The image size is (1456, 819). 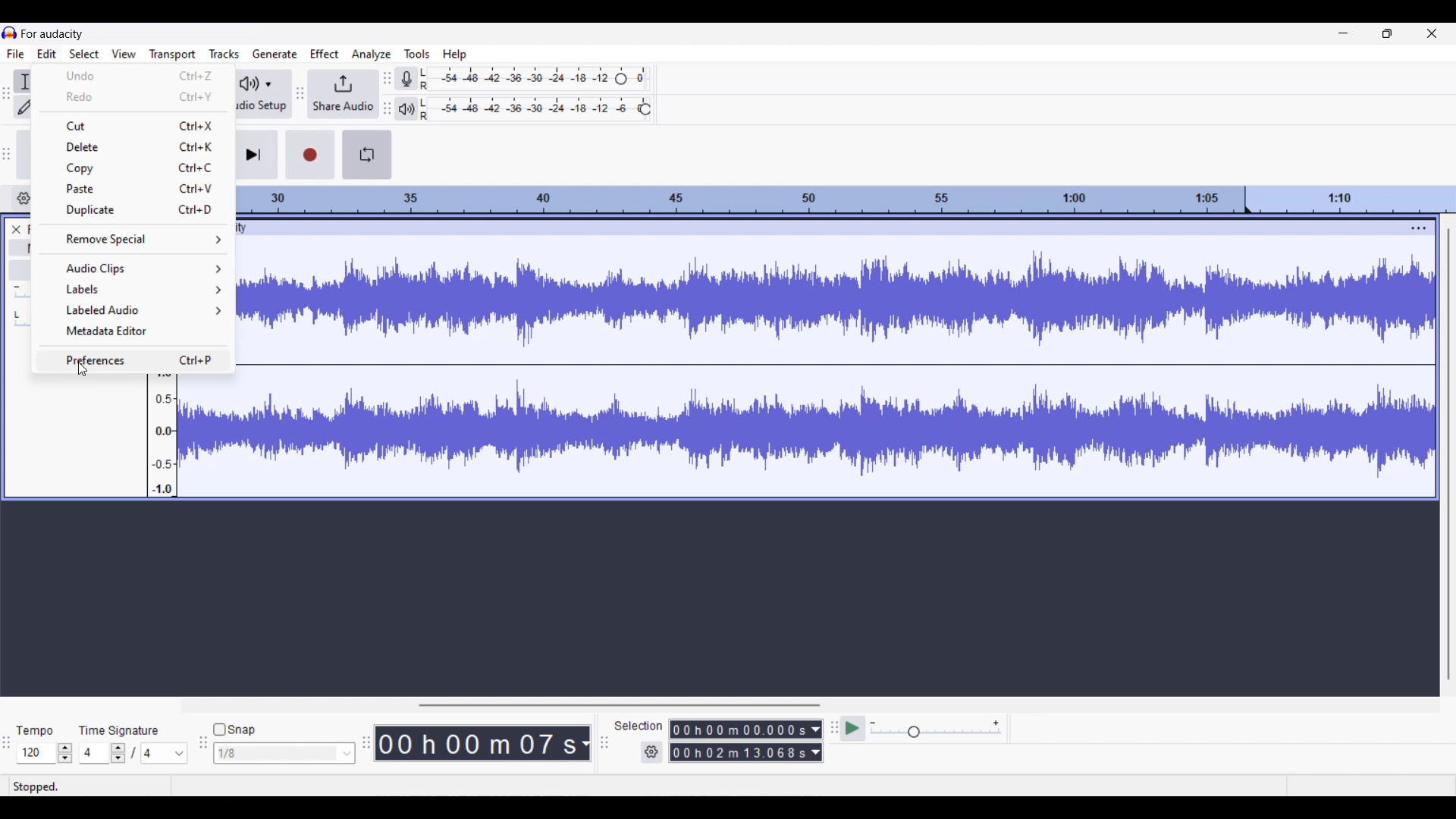 I want to click on Tracks menu, so click(x=224, y=53).